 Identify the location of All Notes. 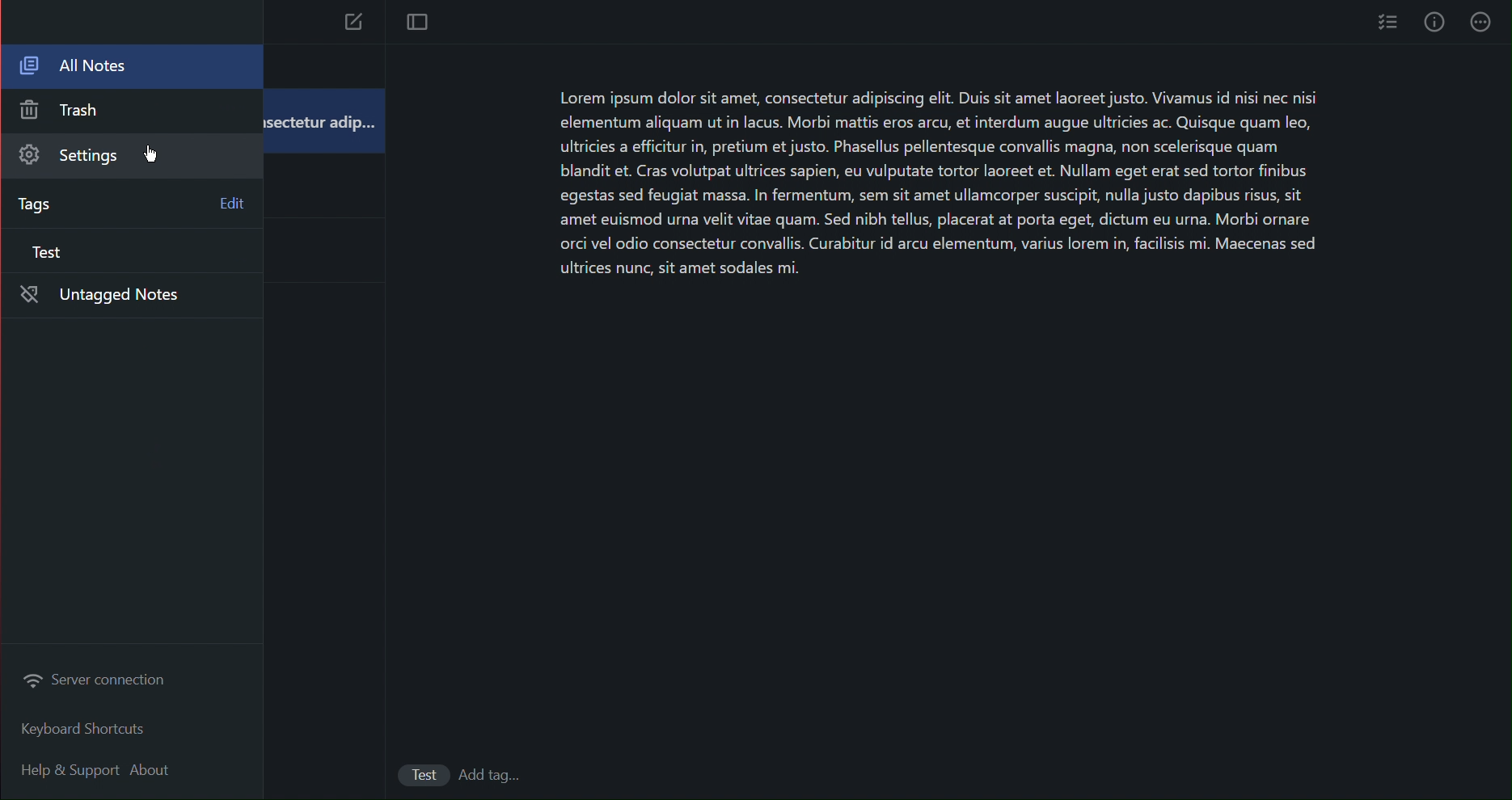
(90, 67).